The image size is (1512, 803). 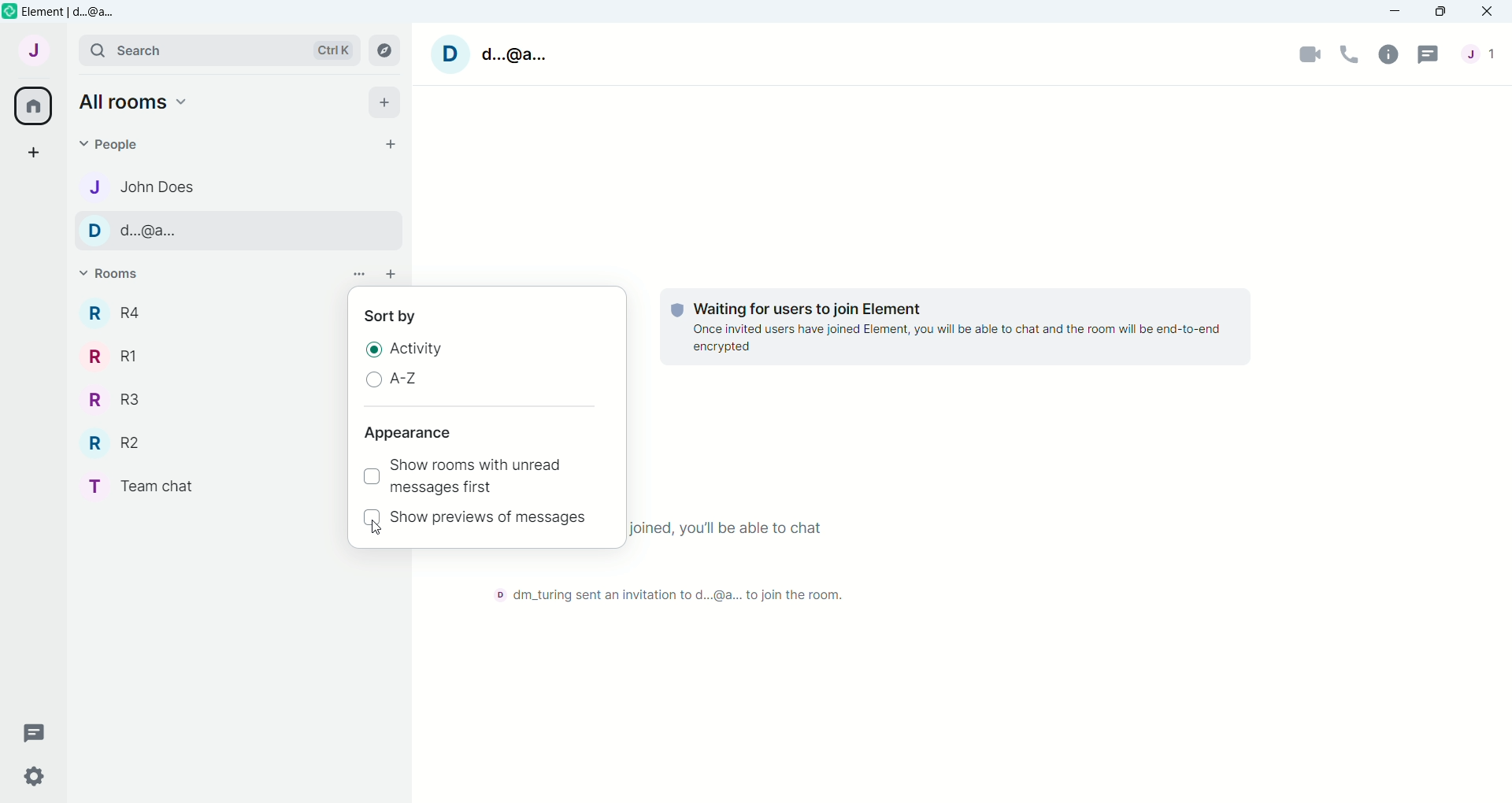 What do you see at coordinates (139, 144) in the screenshot?
I see `People` at bounding box center [139, 144].